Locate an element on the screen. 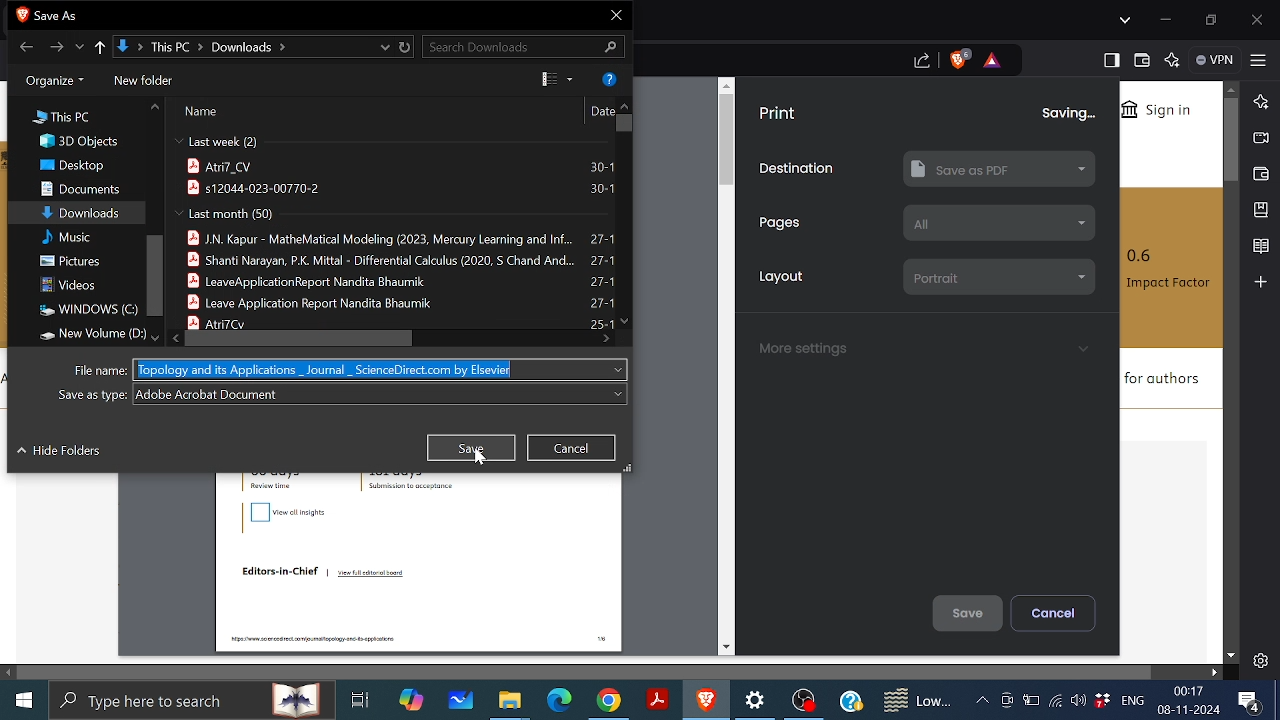 This screenshot has height=720, width=1280. Vertical scroll bar is located at coordinates (1231, 139).